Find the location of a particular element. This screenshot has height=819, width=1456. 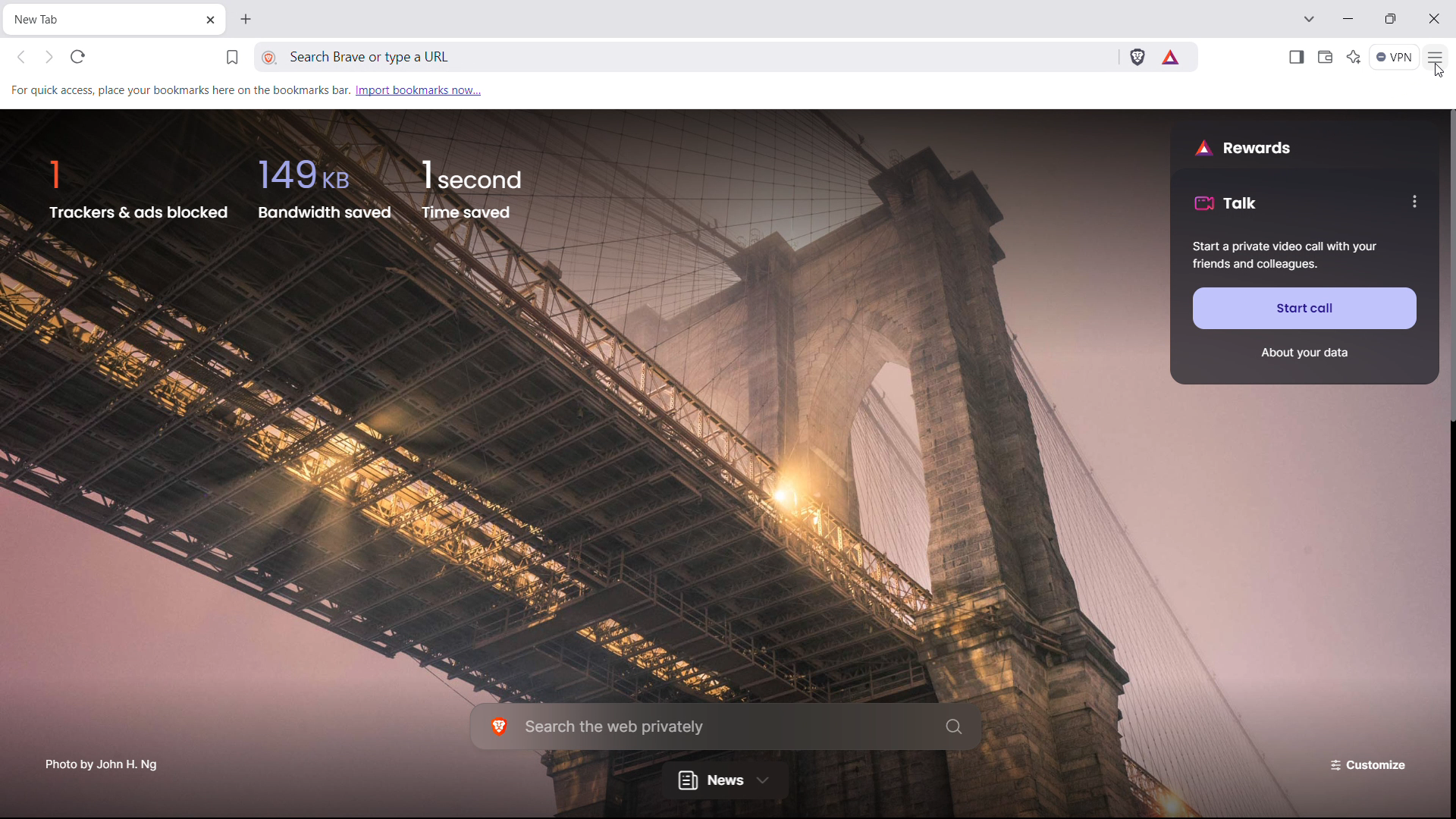

1 second Time saved is located at coordinates (480, 188).